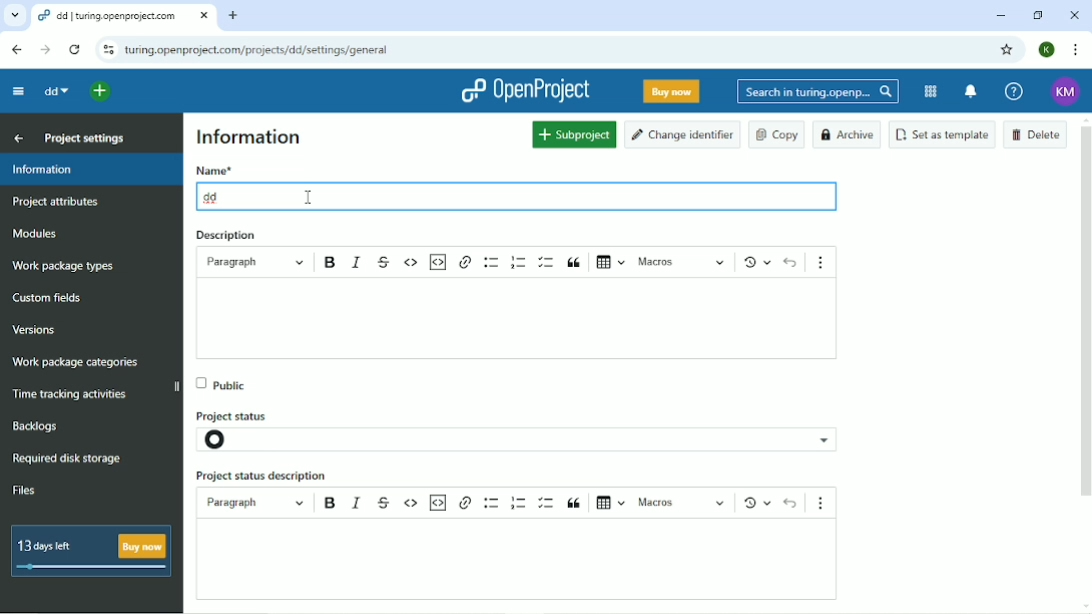 This screenshot has height=614, width=1092. Describe the element at coordinates (249, 136) in the screenshot. I see `Information` at that location.